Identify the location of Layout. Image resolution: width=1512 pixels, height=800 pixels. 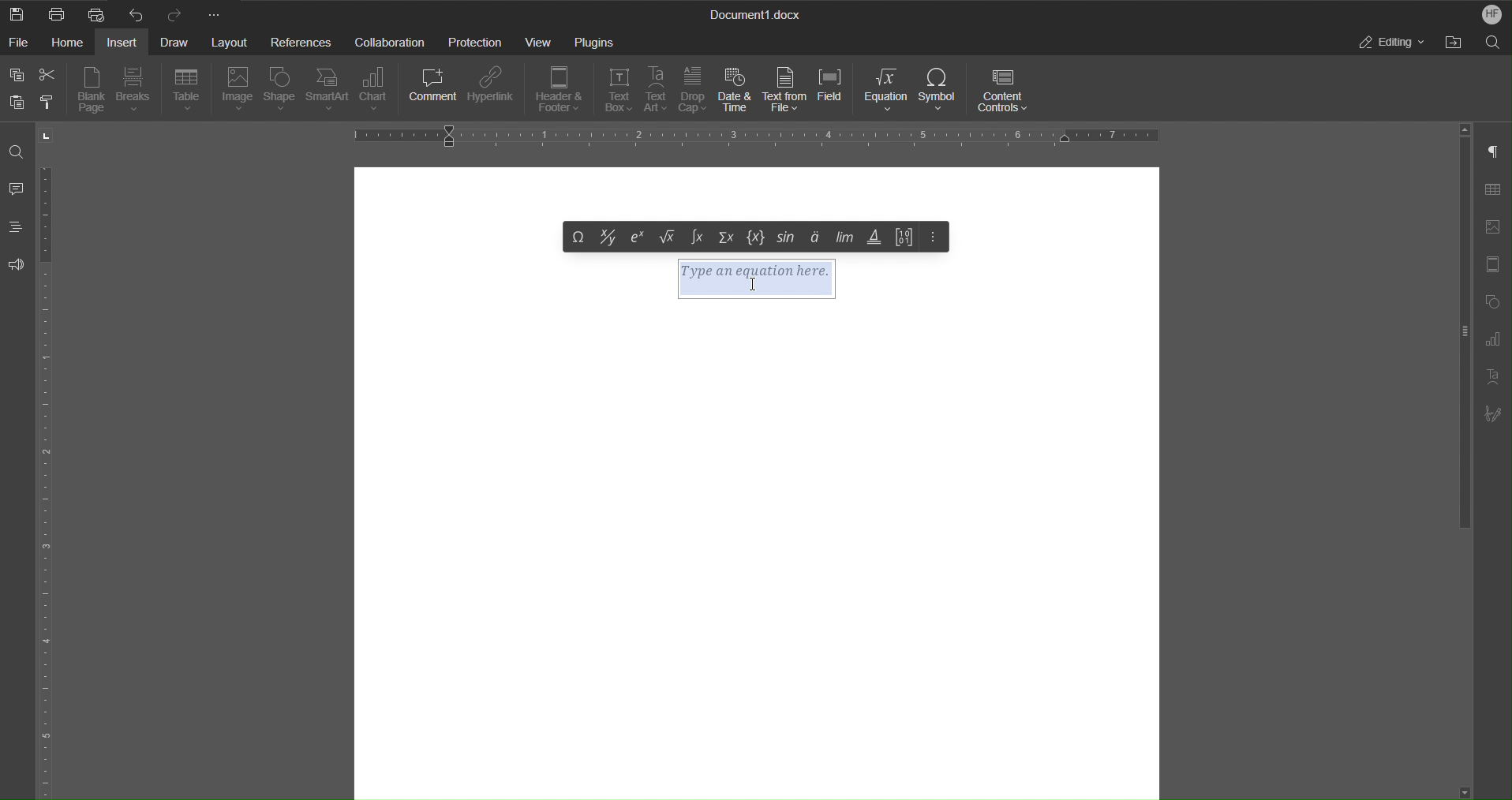
(226, 44).